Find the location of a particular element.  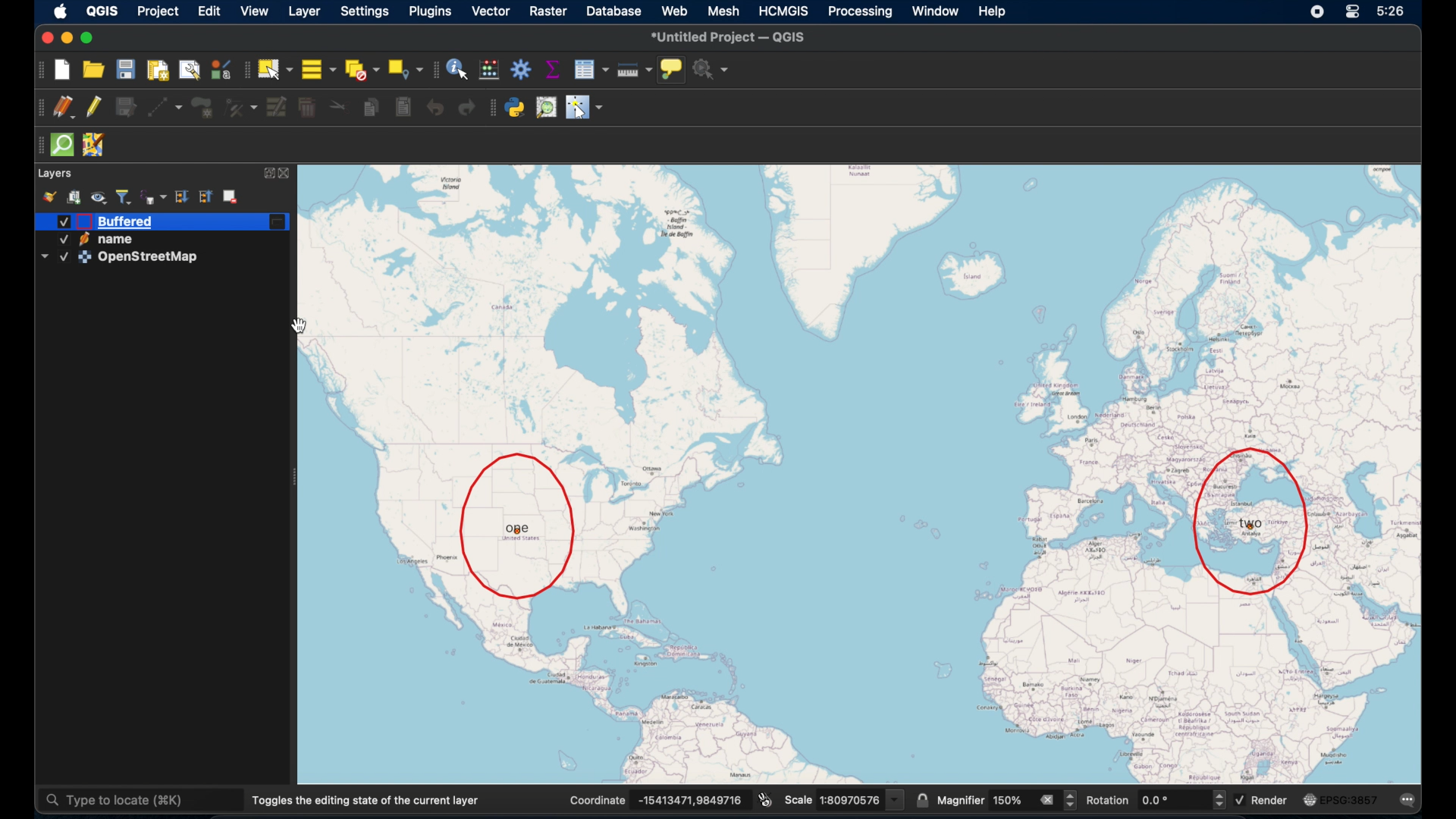

quicksom is located at coordinates (61, 145).